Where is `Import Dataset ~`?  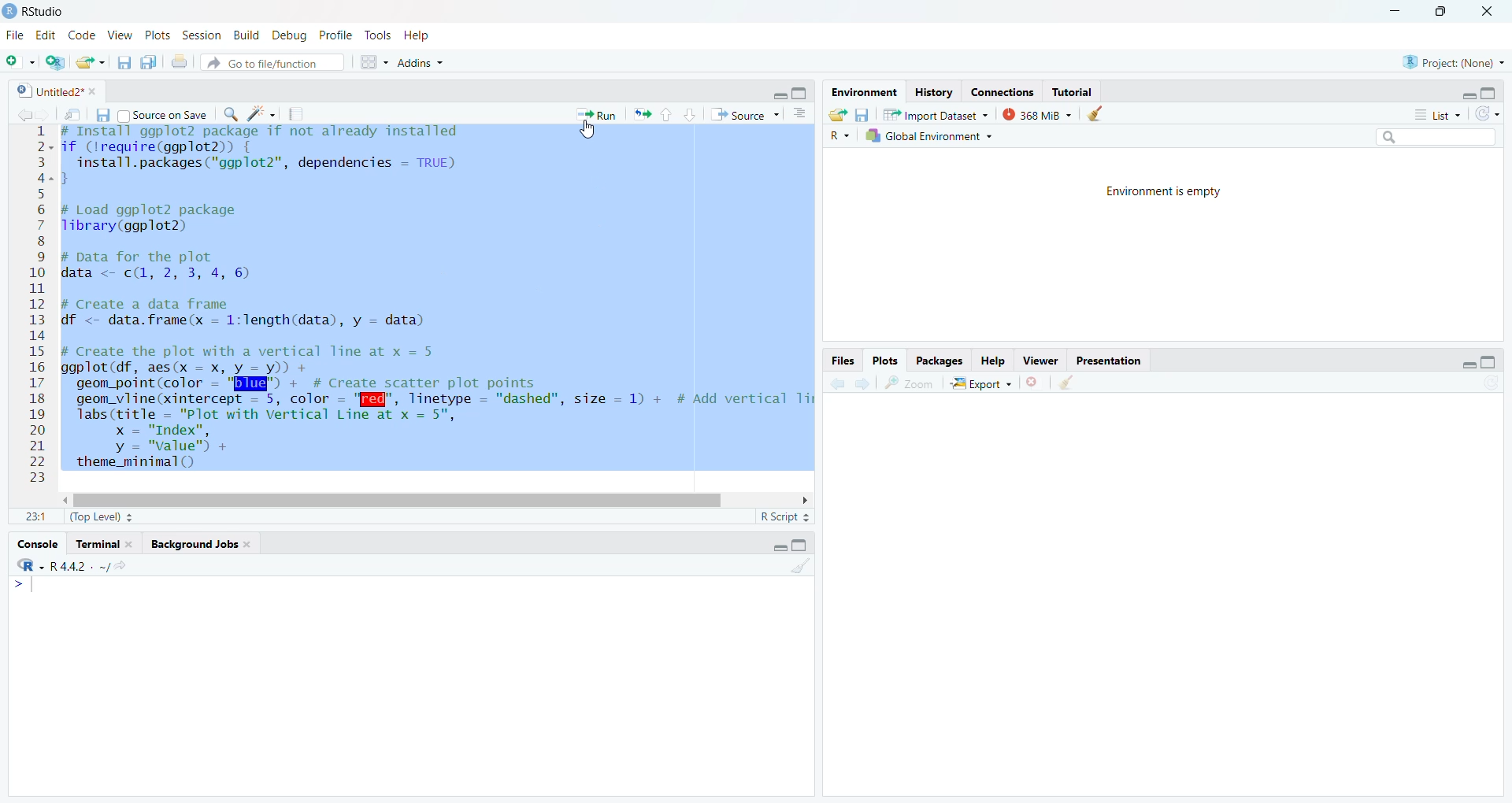
Import Dataset ~ is located at coordinates (937, 113).